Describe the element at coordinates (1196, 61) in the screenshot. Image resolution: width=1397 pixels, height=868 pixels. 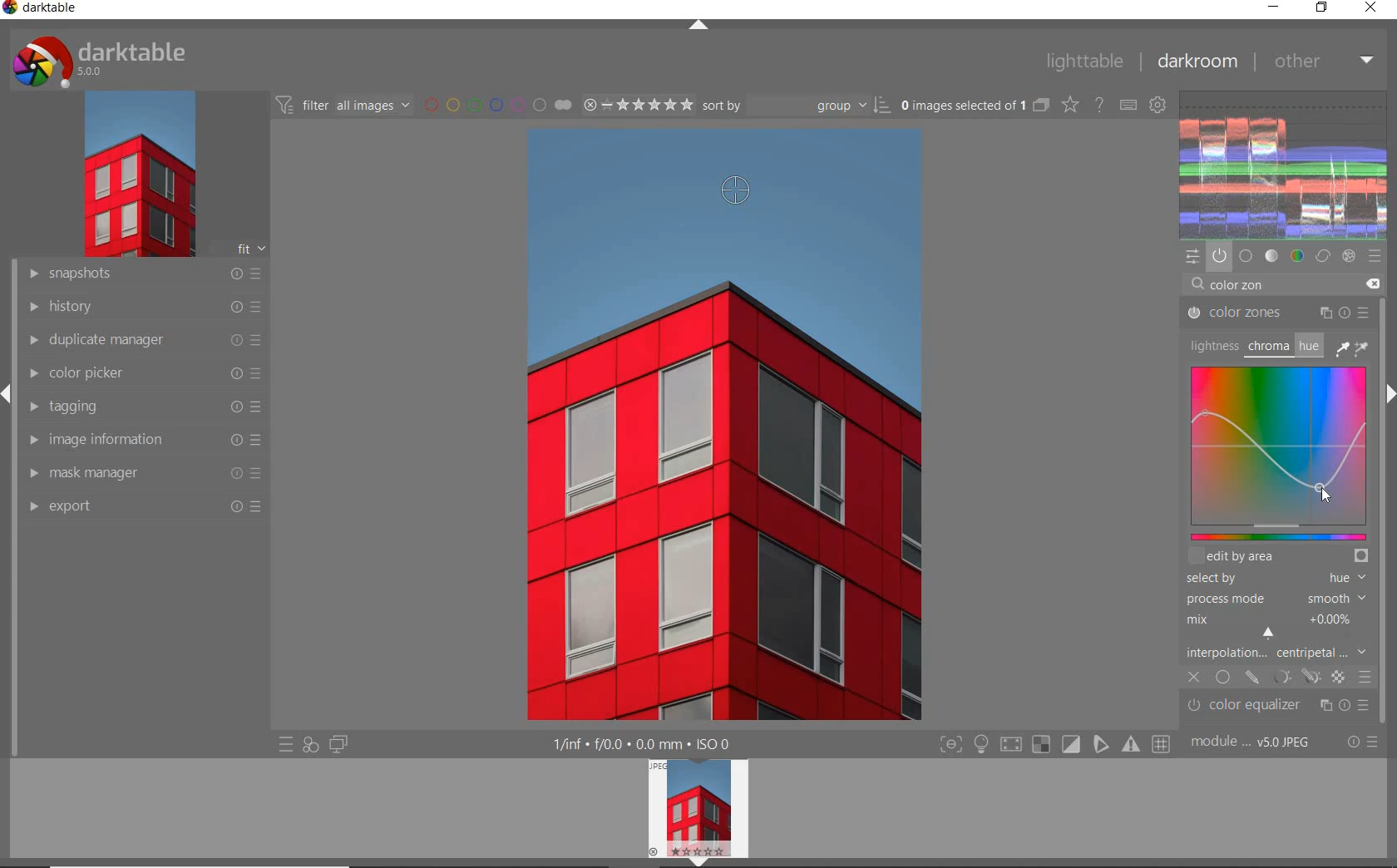
I see `dakroom` at that location.